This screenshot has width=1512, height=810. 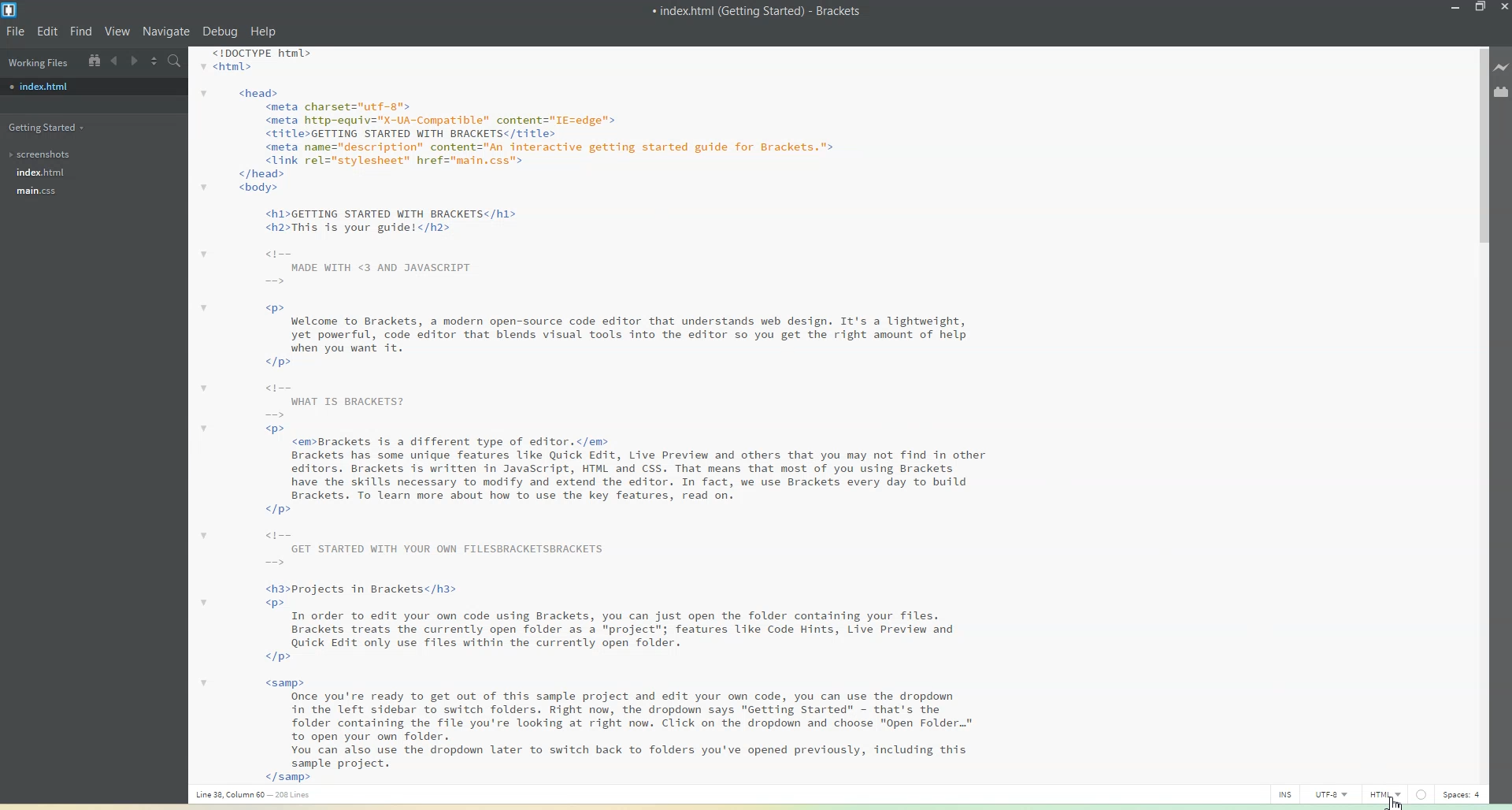 What do you see at coordinates (49, 126) in the screenshot?
I see `Getting Started` at bounding box center [49, 126].